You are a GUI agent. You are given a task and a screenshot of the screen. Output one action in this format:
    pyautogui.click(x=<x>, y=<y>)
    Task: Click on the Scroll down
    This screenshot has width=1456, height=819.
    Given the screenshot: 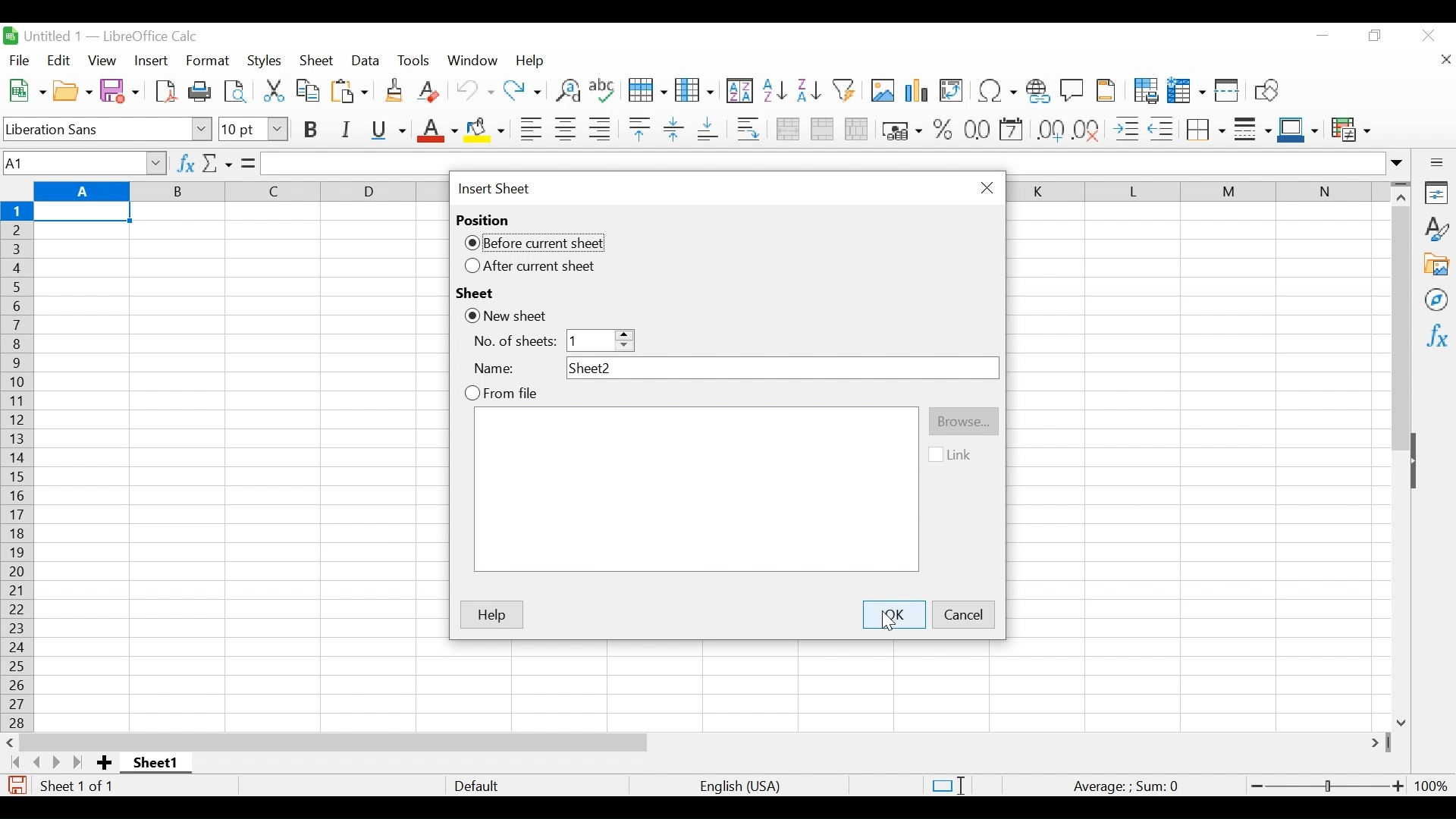 What is the action you would take?
    pyautogui.click(x=1402, y=720)
    